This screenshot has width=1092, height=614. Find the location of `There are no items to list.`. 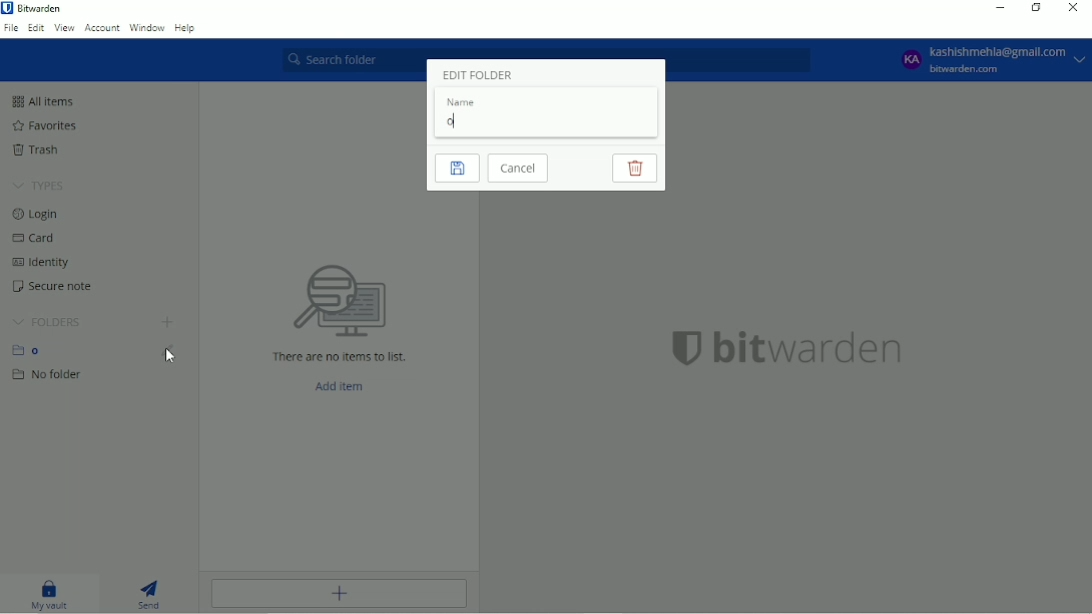

There are no items to list. is located at coordinates (340, 357).